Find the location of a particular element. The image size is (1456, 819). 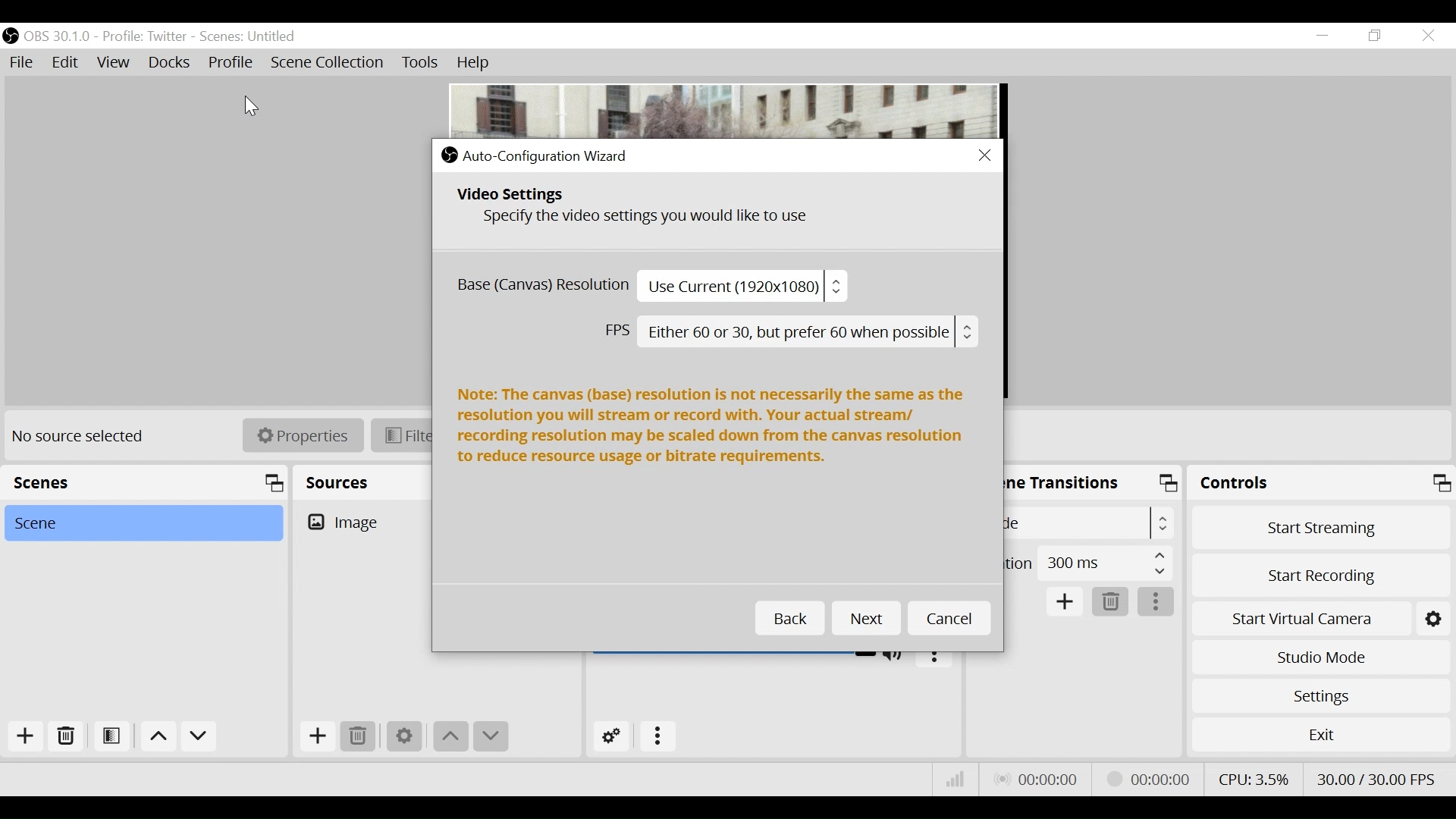

Note: The canvas (base) resolution is not the same as the resolution you will stream or record with. Your actual stream/recording  resolution may be scaled down from the canvas resolution to reduce resource usage or bitrate requirements. is located at coordinates (712, 428).